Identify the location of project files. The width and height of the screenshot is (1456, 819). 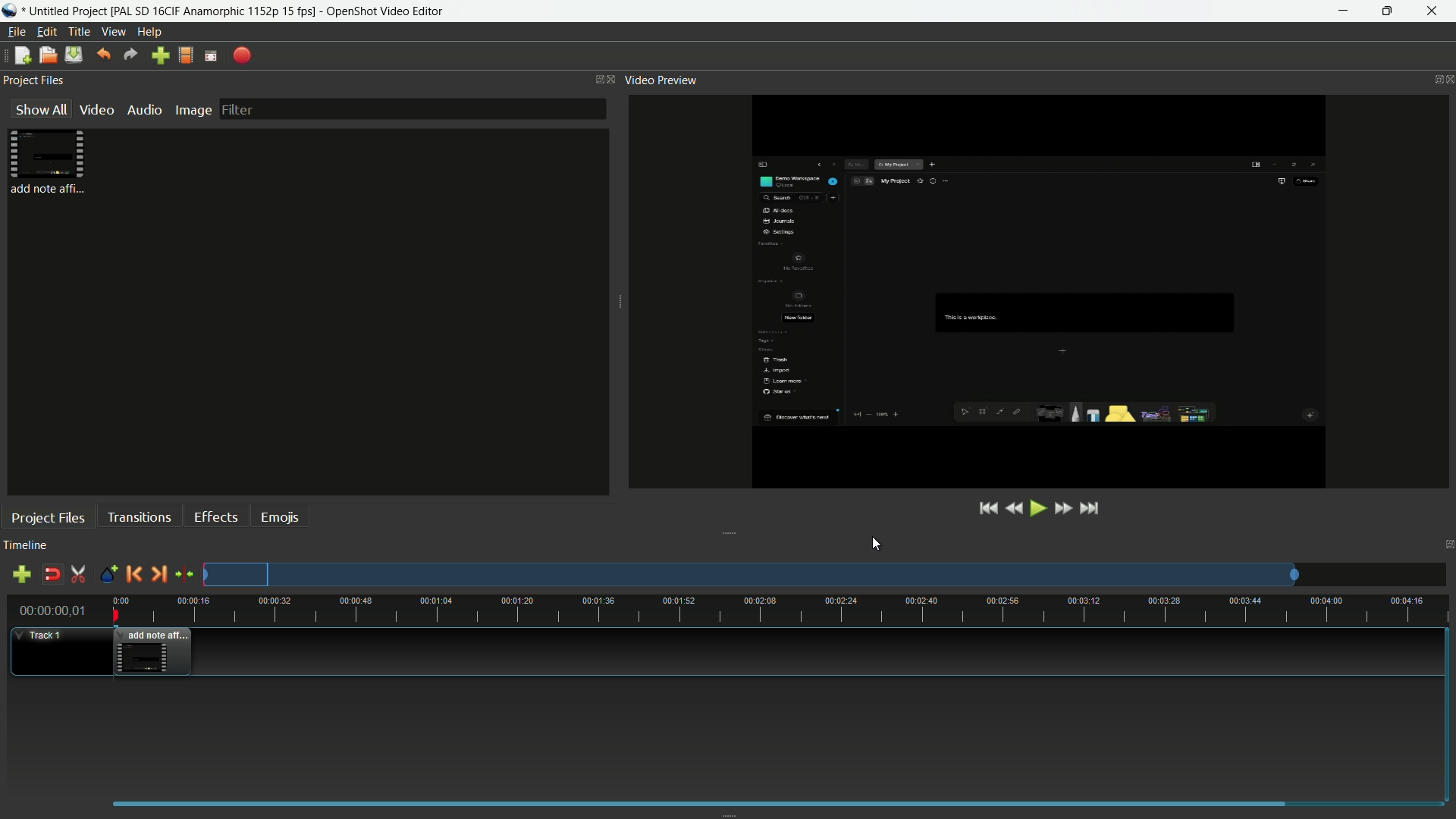
(36, 79).